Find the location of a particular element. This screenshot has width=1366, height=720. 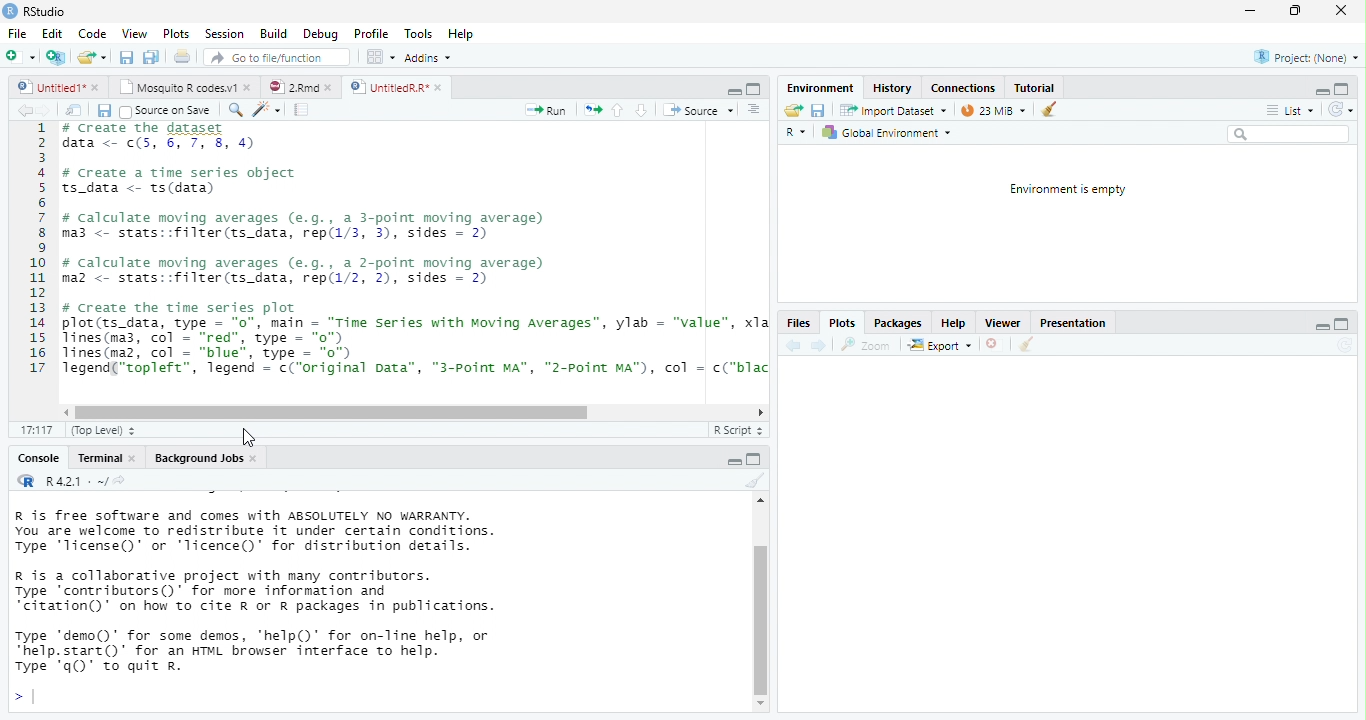

export is located at coordinates (939, 346).